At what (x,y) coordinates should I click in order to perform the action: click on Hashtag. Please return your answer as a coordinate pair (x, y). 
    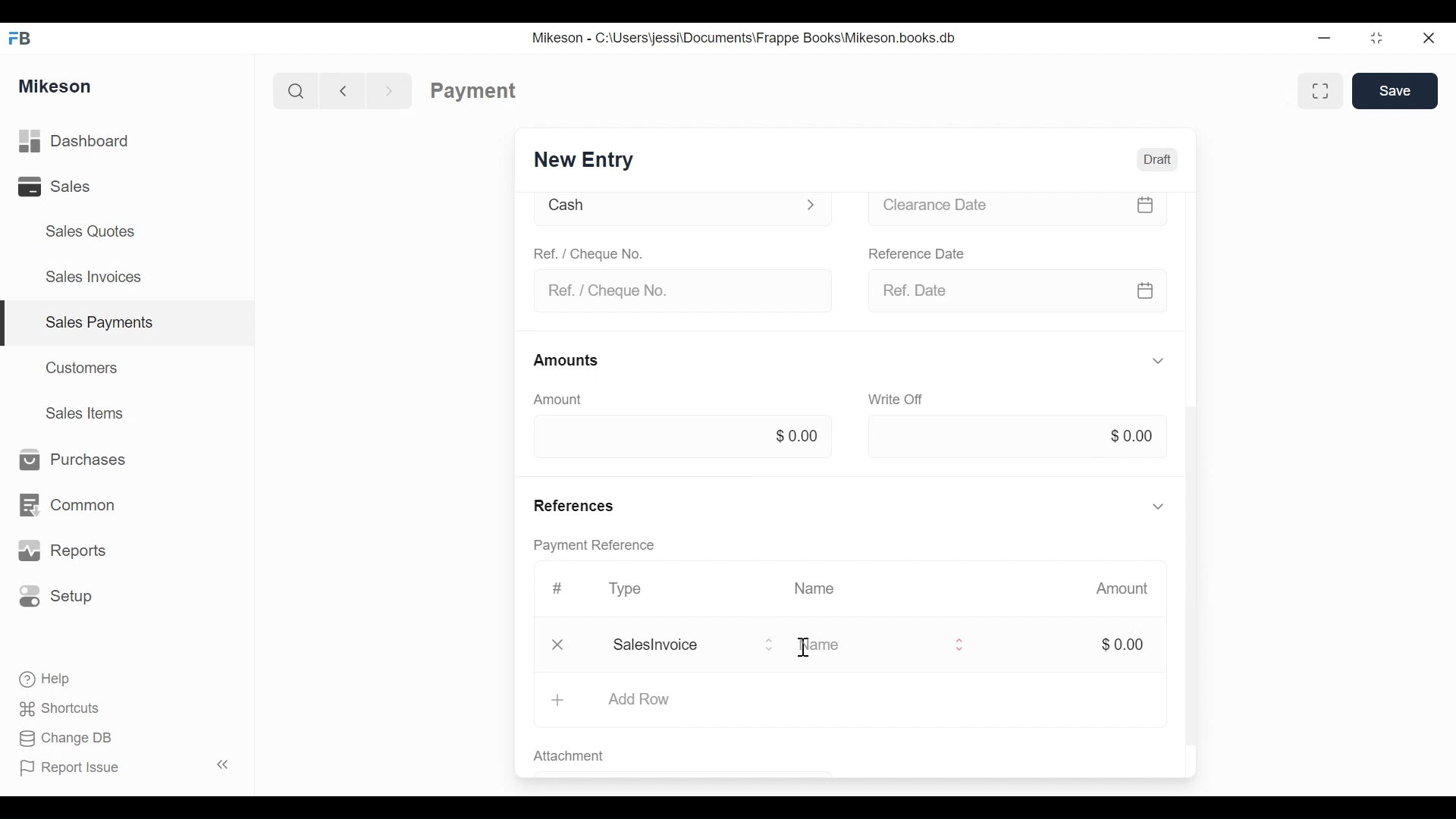
    Looking at the image, I should click on (557, 590).